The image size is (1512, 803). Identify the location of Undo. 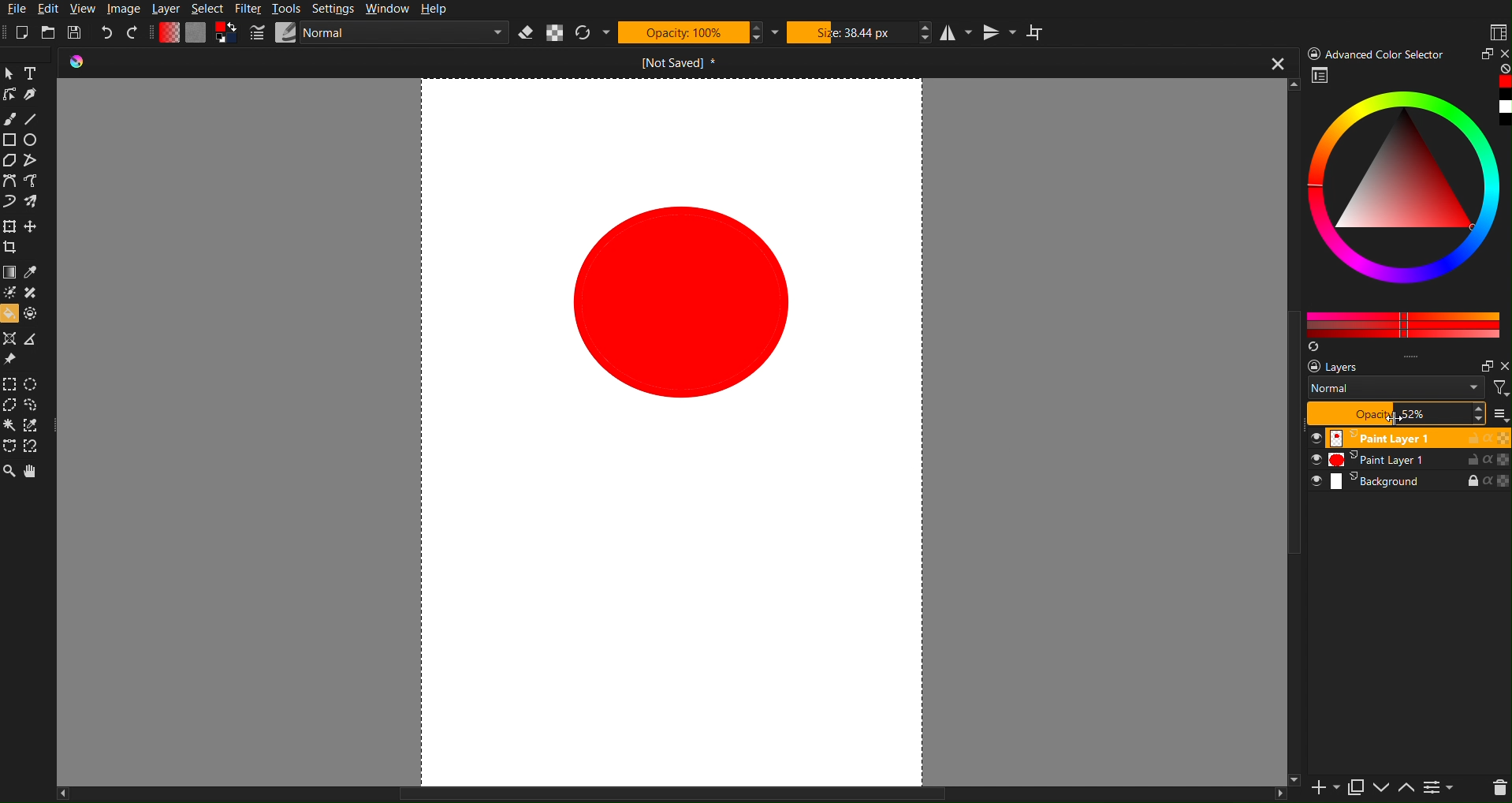
(106, 35).